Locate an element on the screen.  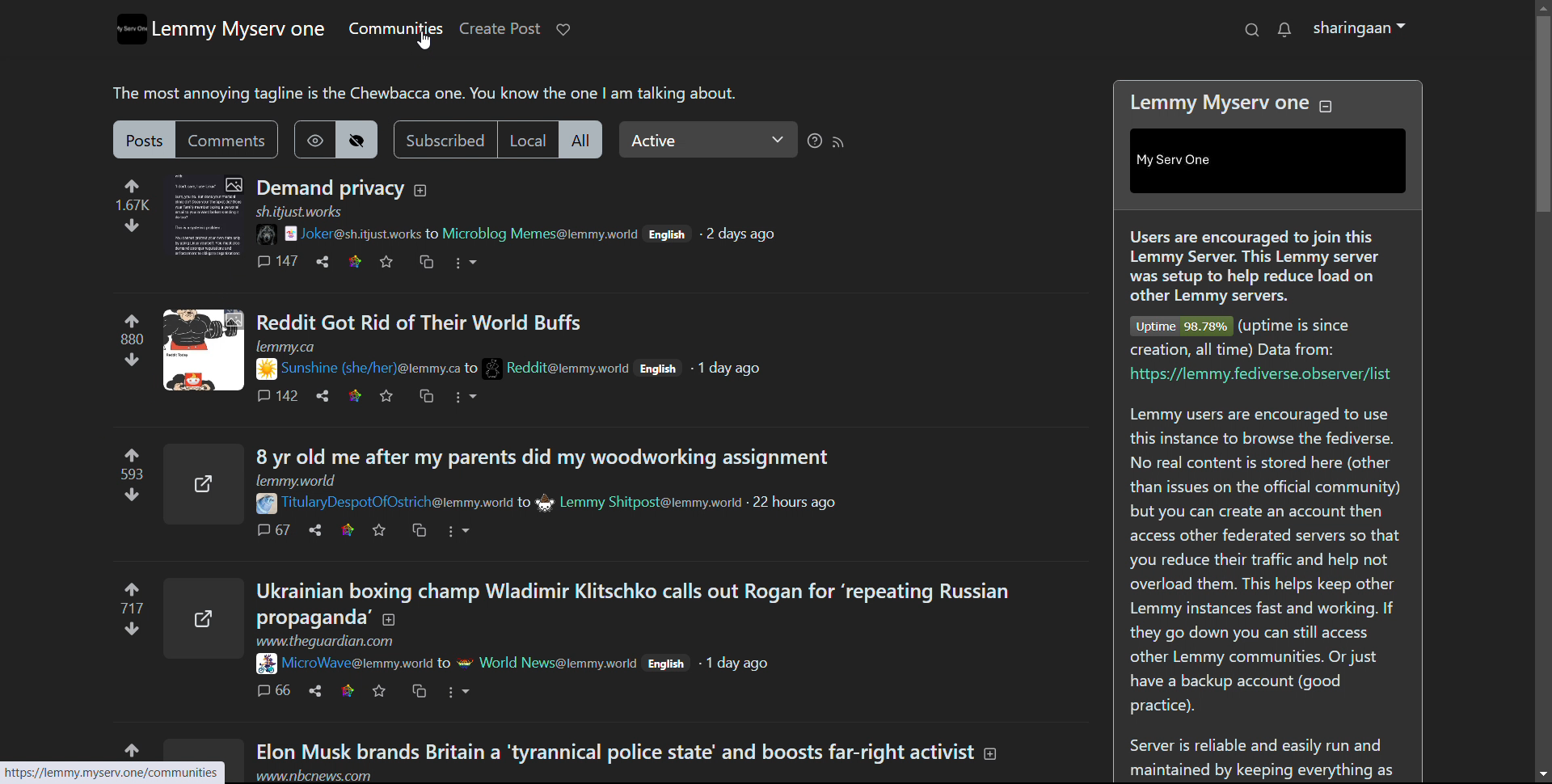
URL is located at coordinates (302, 480).